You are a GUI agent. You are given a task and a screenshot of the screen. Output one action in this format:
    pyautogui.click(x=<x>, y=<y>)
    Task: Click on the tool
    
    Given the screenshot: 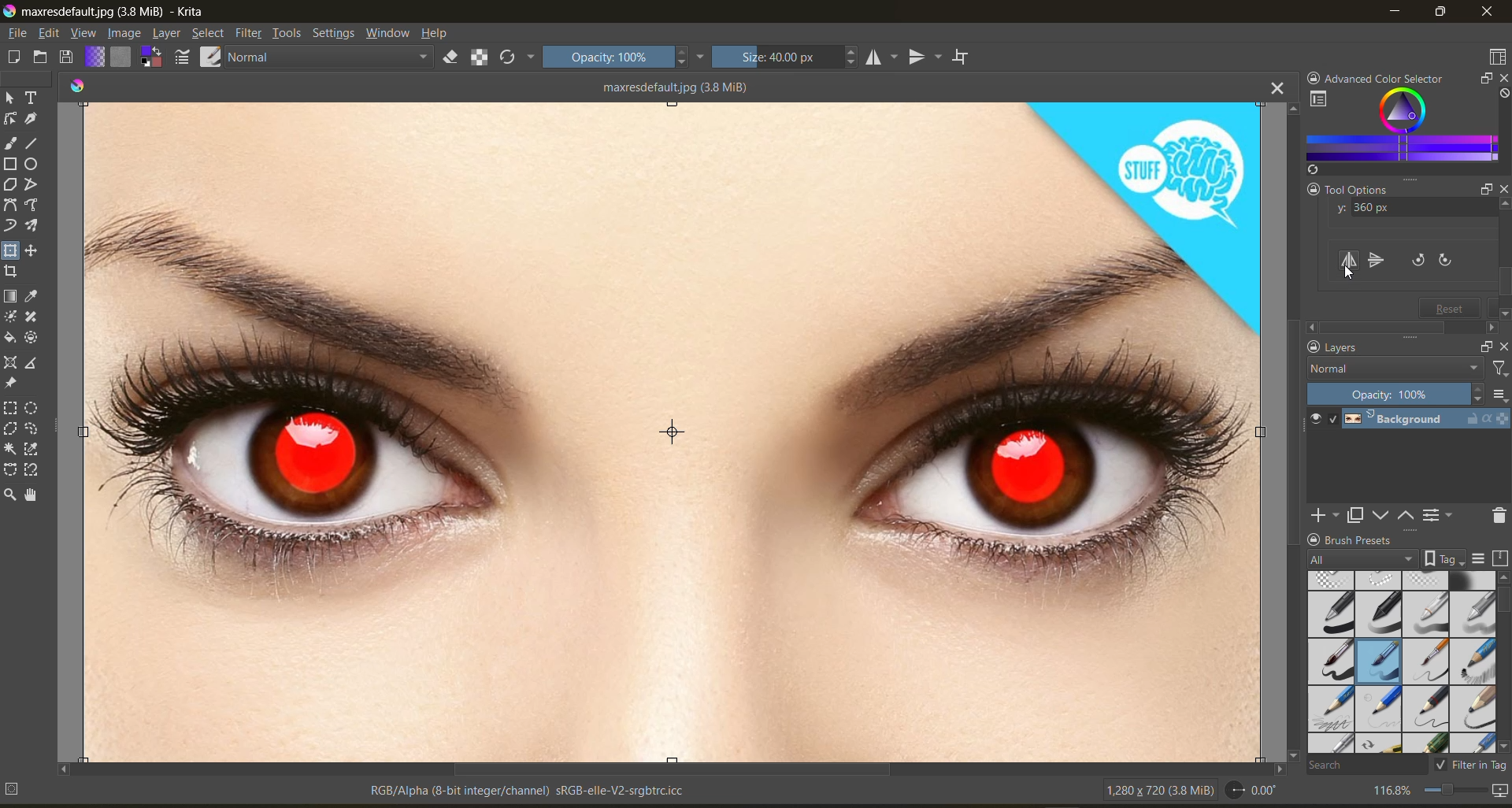 What is the action you would take?
    pyautogui.click(x=9, y=496)
    